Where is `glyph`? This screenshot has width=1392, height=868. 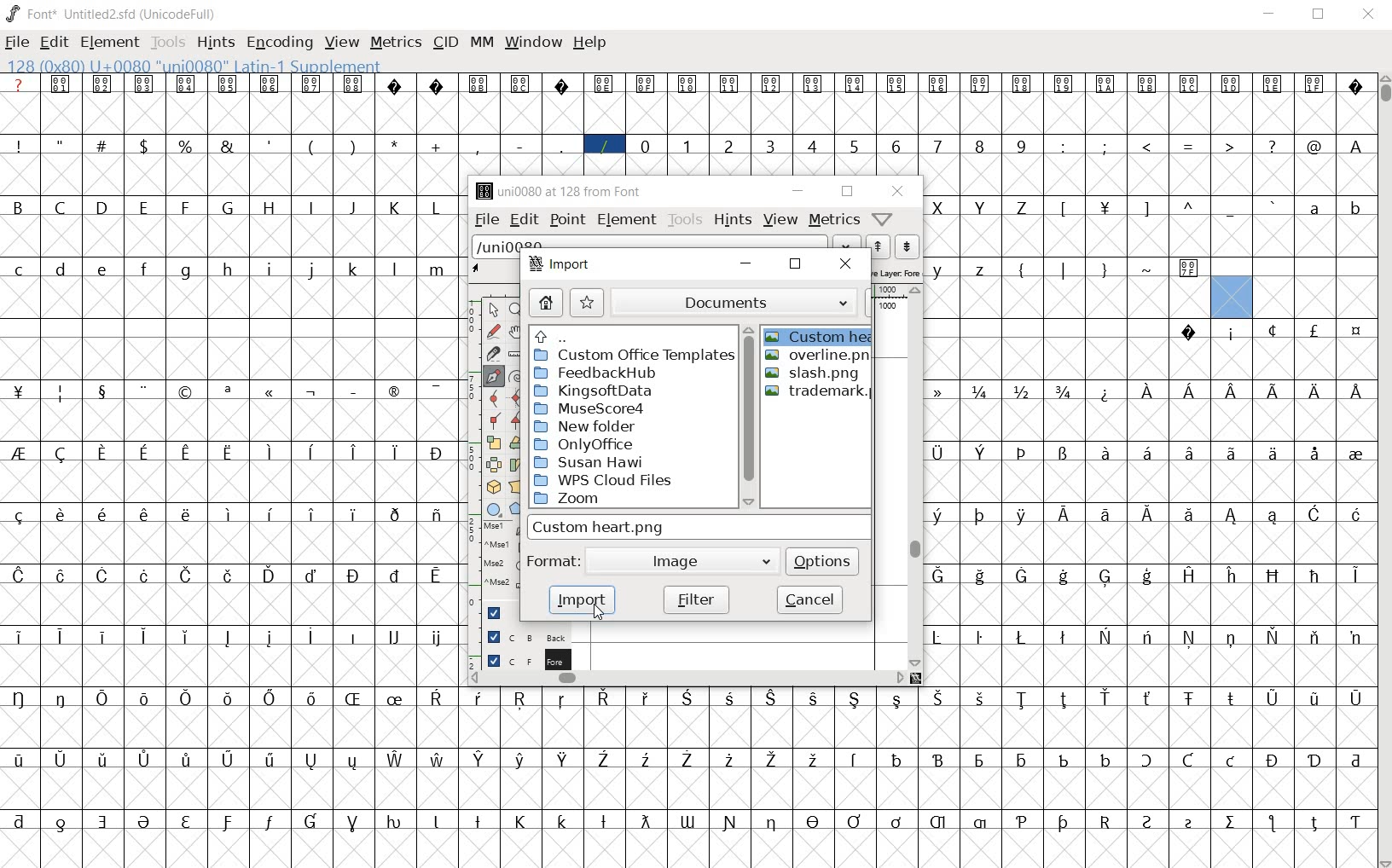
glyph is located at coordinates (1273, 516).